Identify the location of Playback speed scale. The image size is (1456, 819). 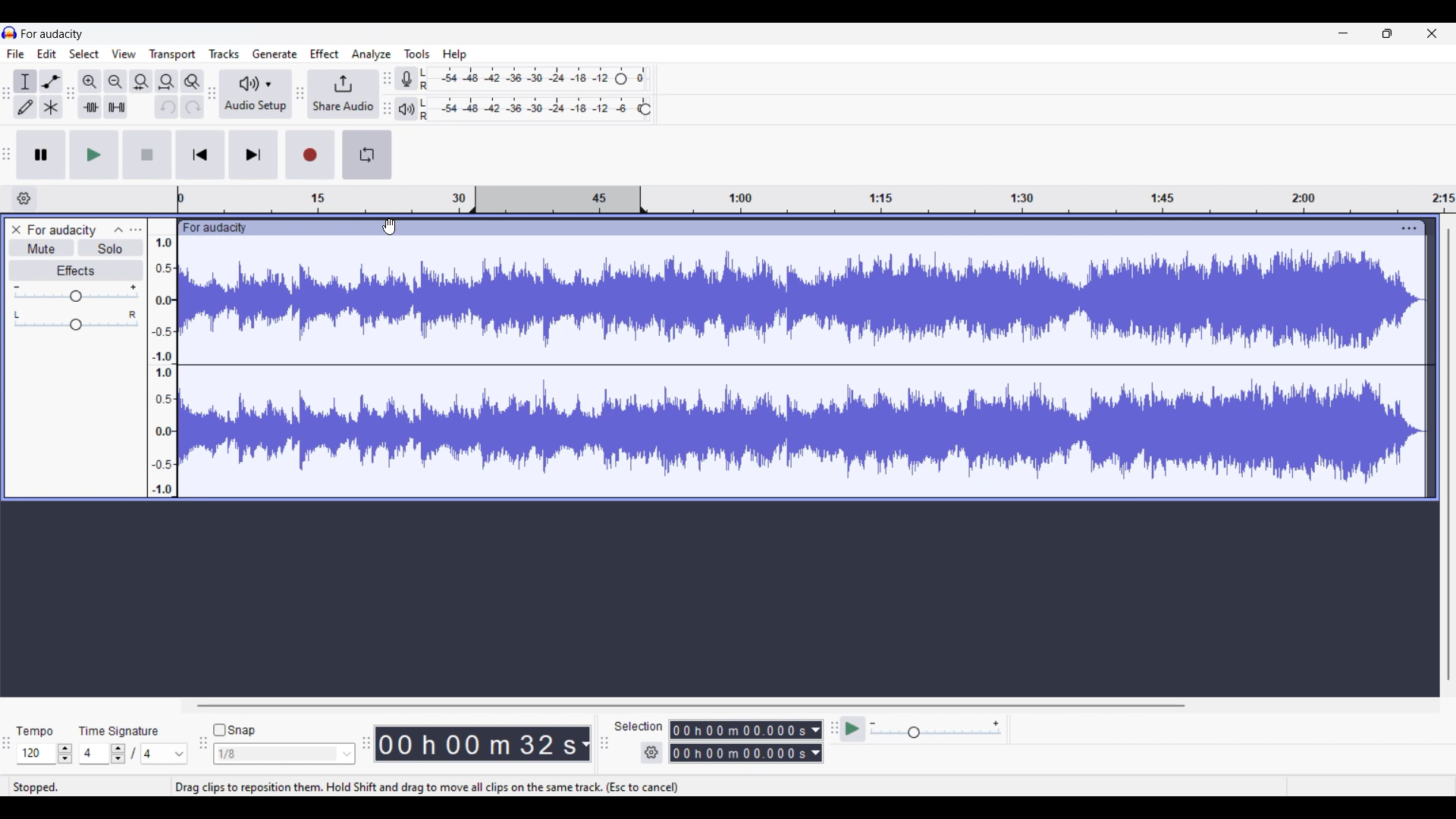
(935, 729).